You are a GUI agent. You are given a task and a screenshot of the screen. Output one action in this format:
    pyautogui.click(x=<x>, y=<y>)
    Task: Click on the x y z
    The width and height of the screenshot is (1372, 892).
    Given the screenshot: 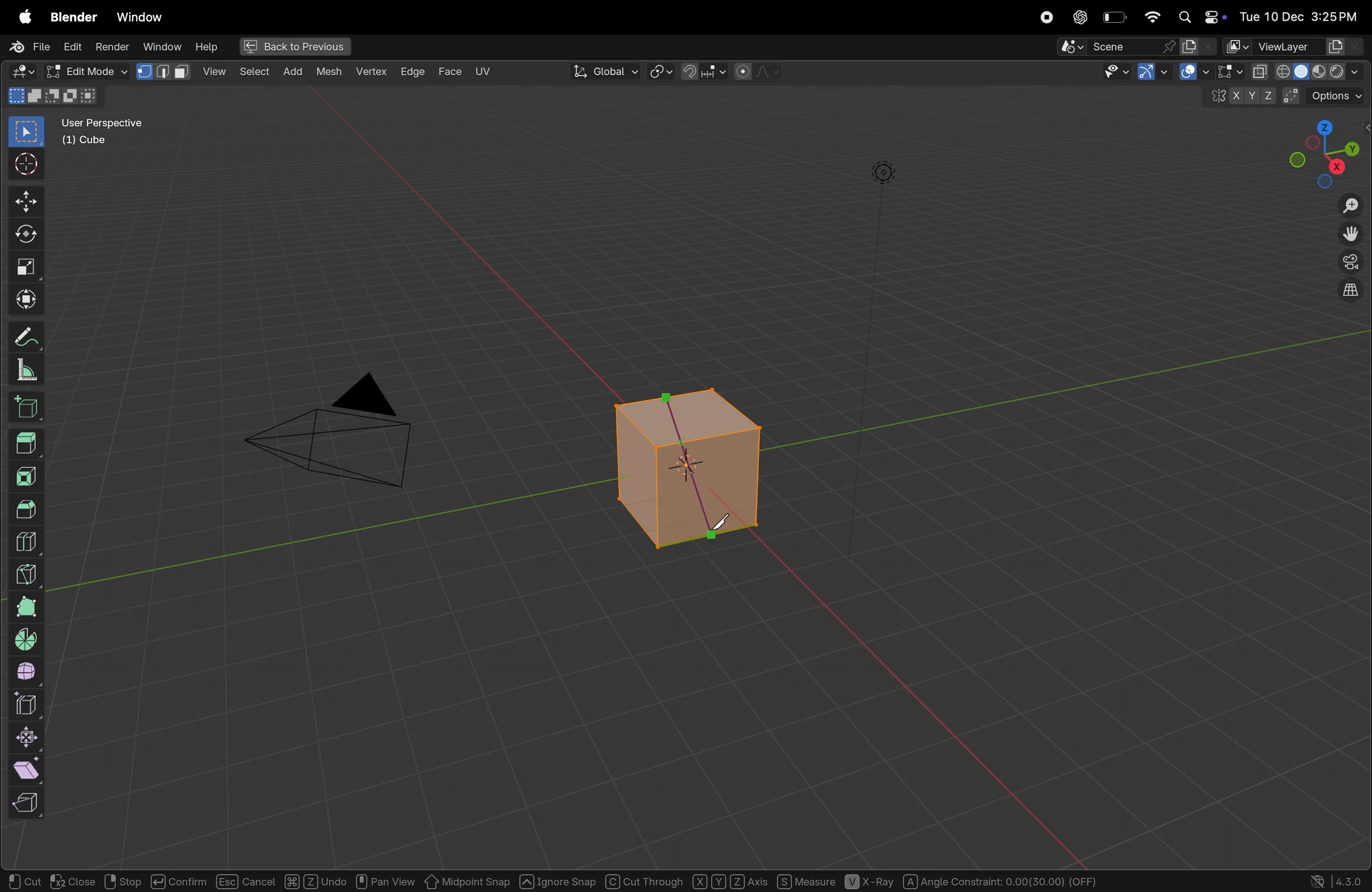 What is the action you would take?
    pyautogui.click(x=1239, y=99)
    